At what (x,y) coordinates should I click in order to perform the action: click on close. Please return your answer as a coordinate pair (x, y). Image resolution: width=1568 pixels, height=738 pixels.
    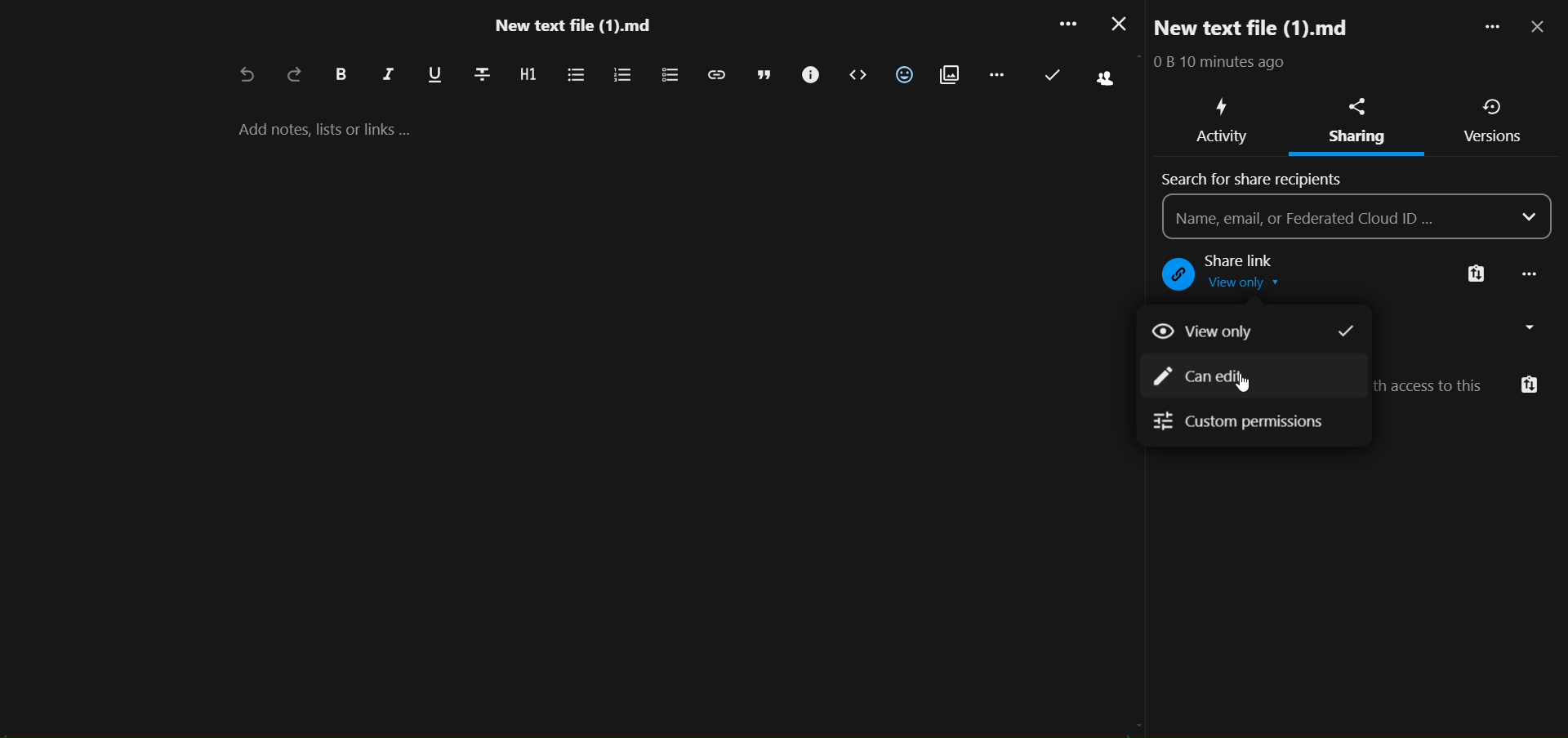
    Looking at the image, I should click on (1115, 24).